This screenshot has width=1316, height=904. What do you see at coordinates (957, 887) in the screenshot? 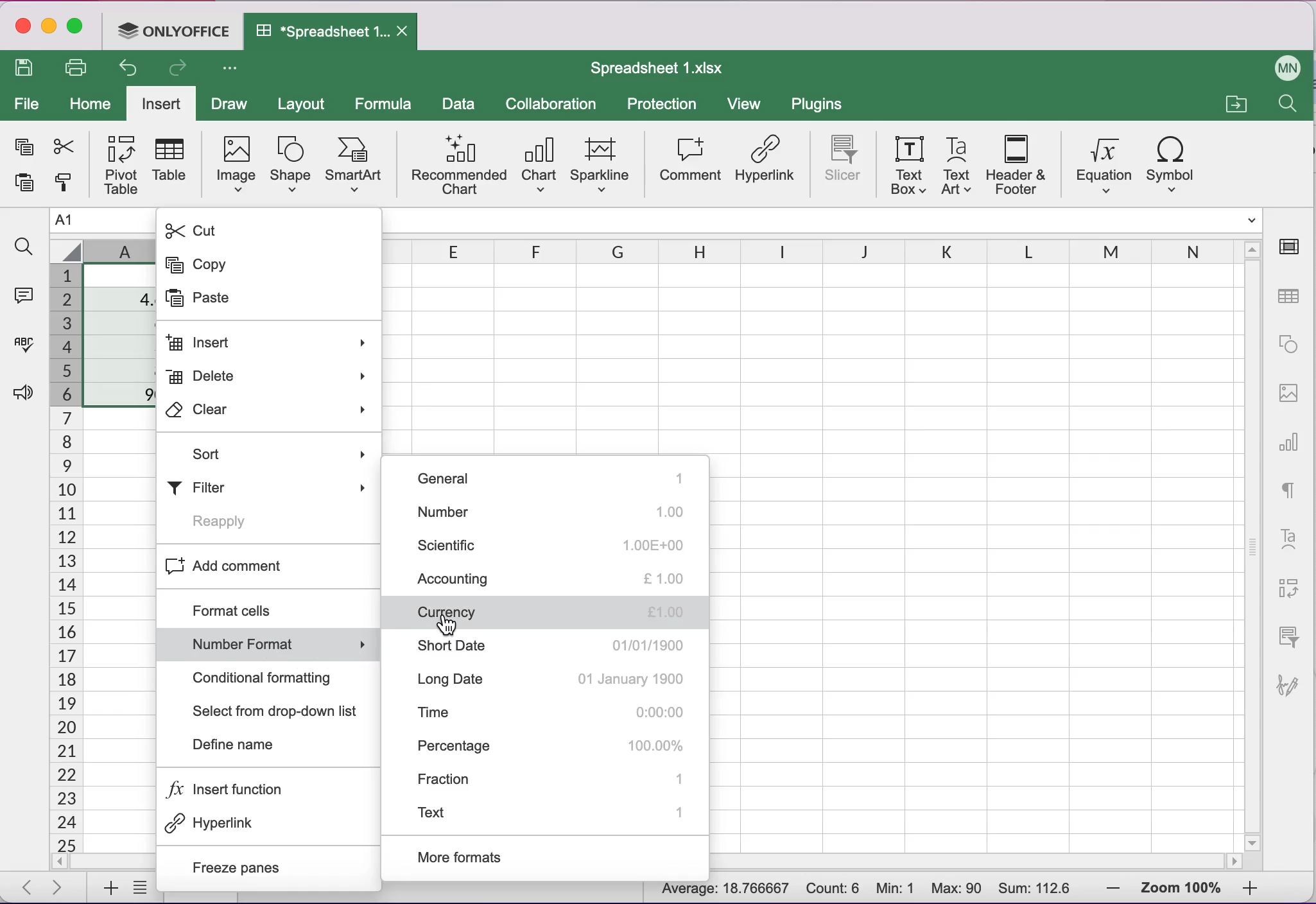
I see `Max: 90` at bounding box center [957, 887].